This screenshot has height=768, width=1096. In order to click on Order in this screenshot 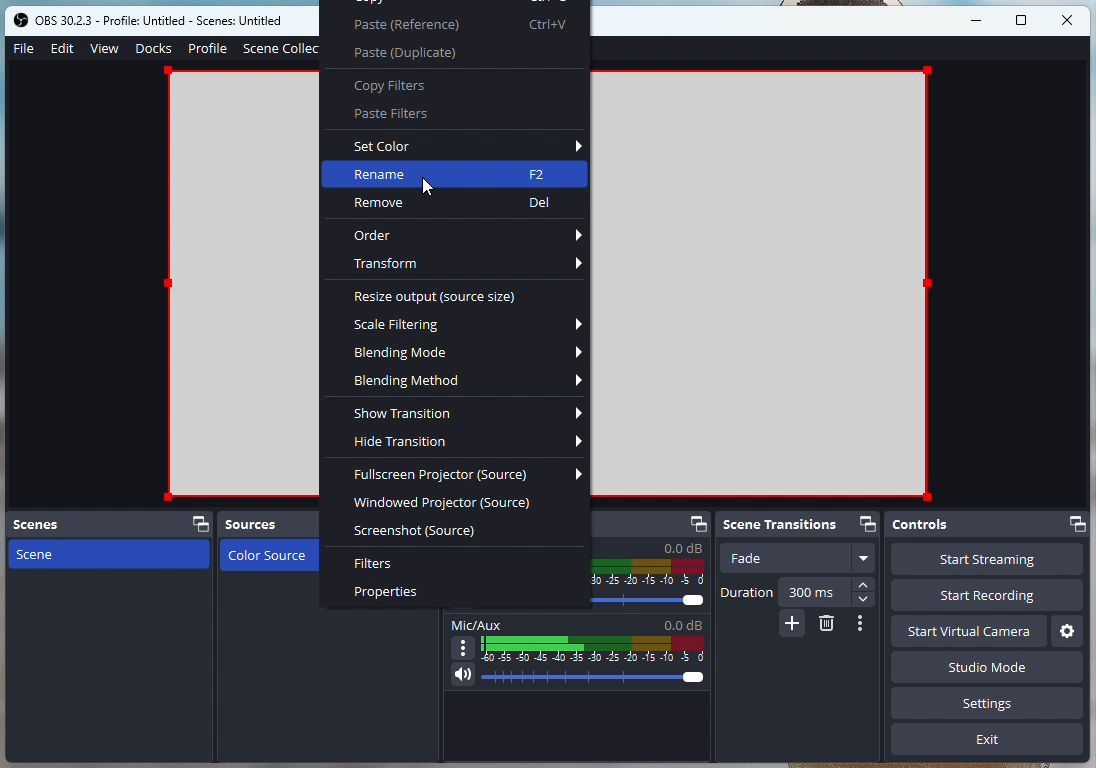, I will do `click(468, 236)`.